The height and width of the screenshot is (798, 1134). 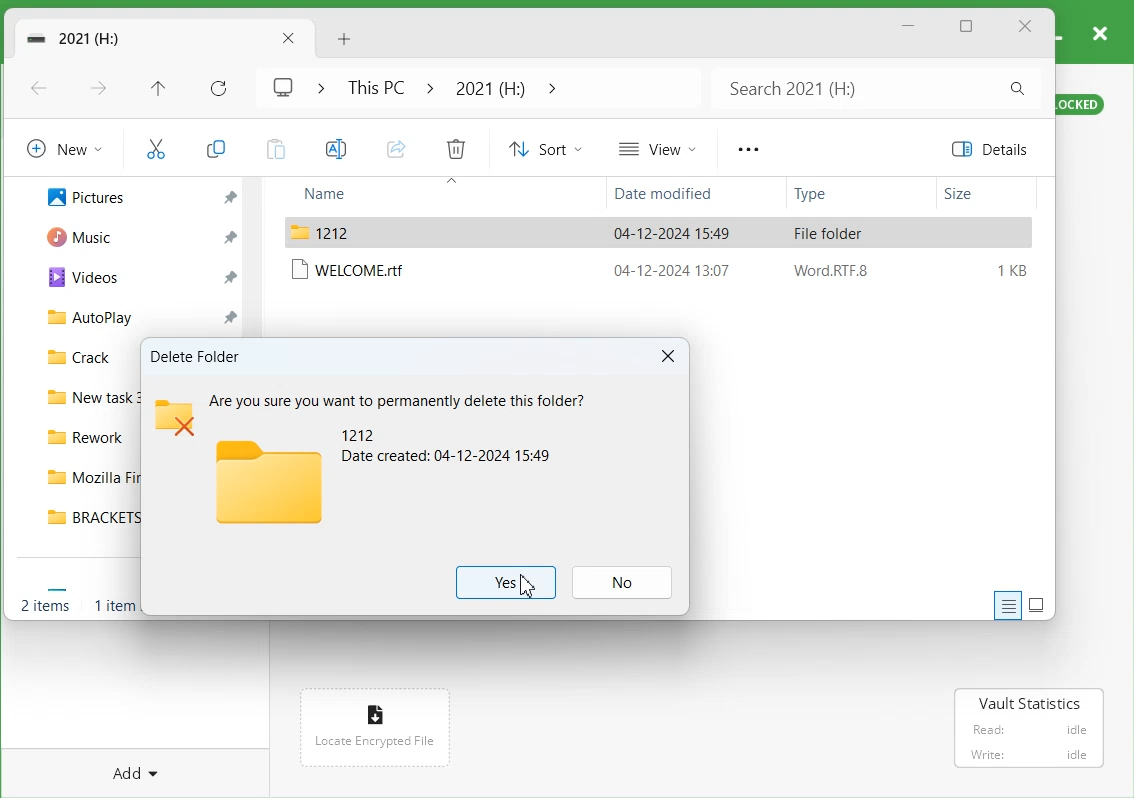 What do you see at coordinates (1007, 605) in the screenshot?
I see `Display information about each item to the window` at bounding box center [1007, 605].